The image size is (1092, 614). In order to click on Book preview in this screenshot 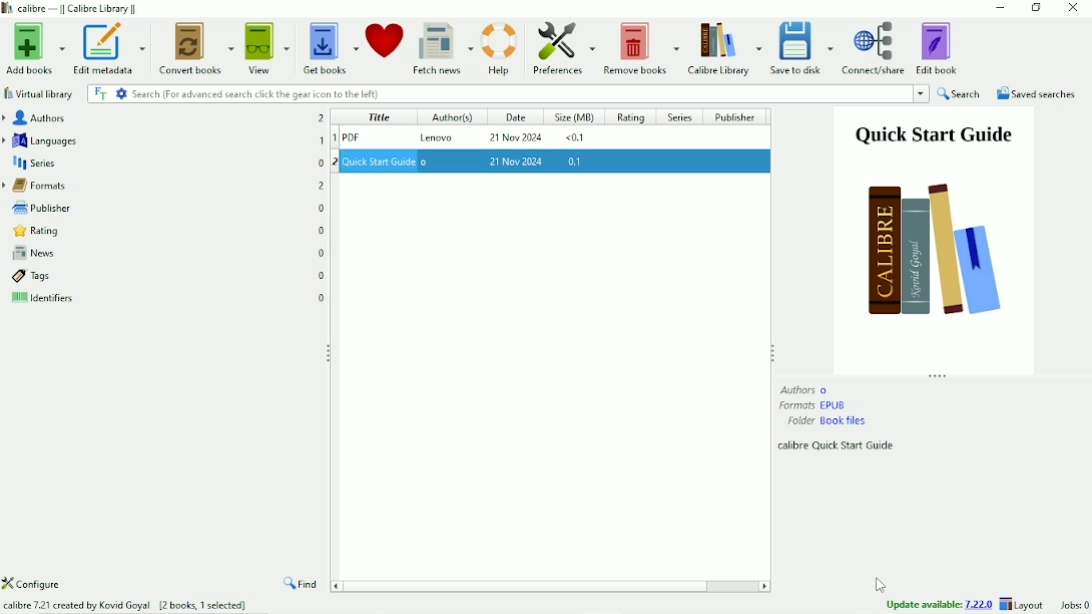, I will do `click(934, 239)`.